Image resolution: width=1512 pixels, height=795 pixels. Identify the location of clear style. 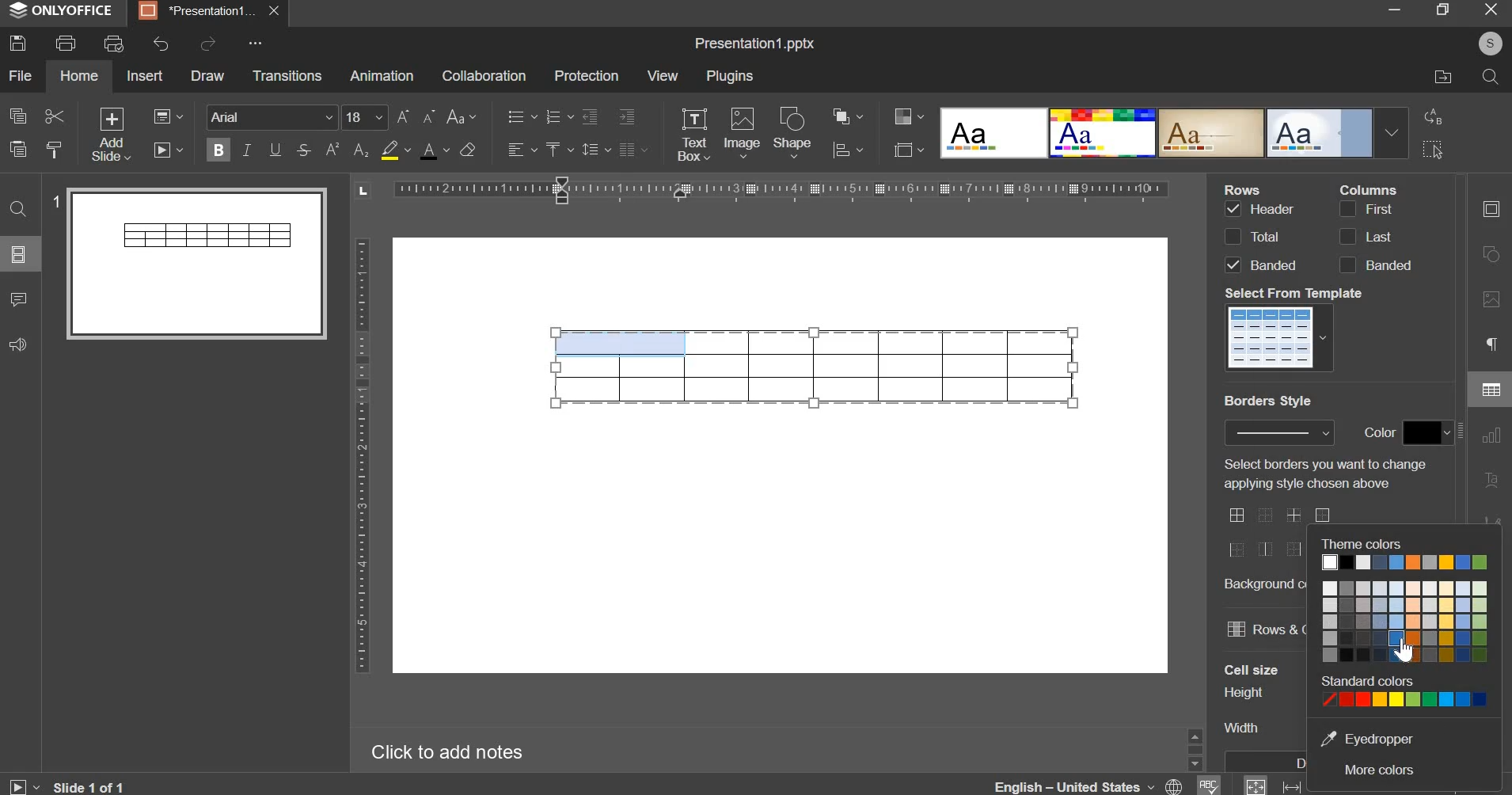
(467, 149).